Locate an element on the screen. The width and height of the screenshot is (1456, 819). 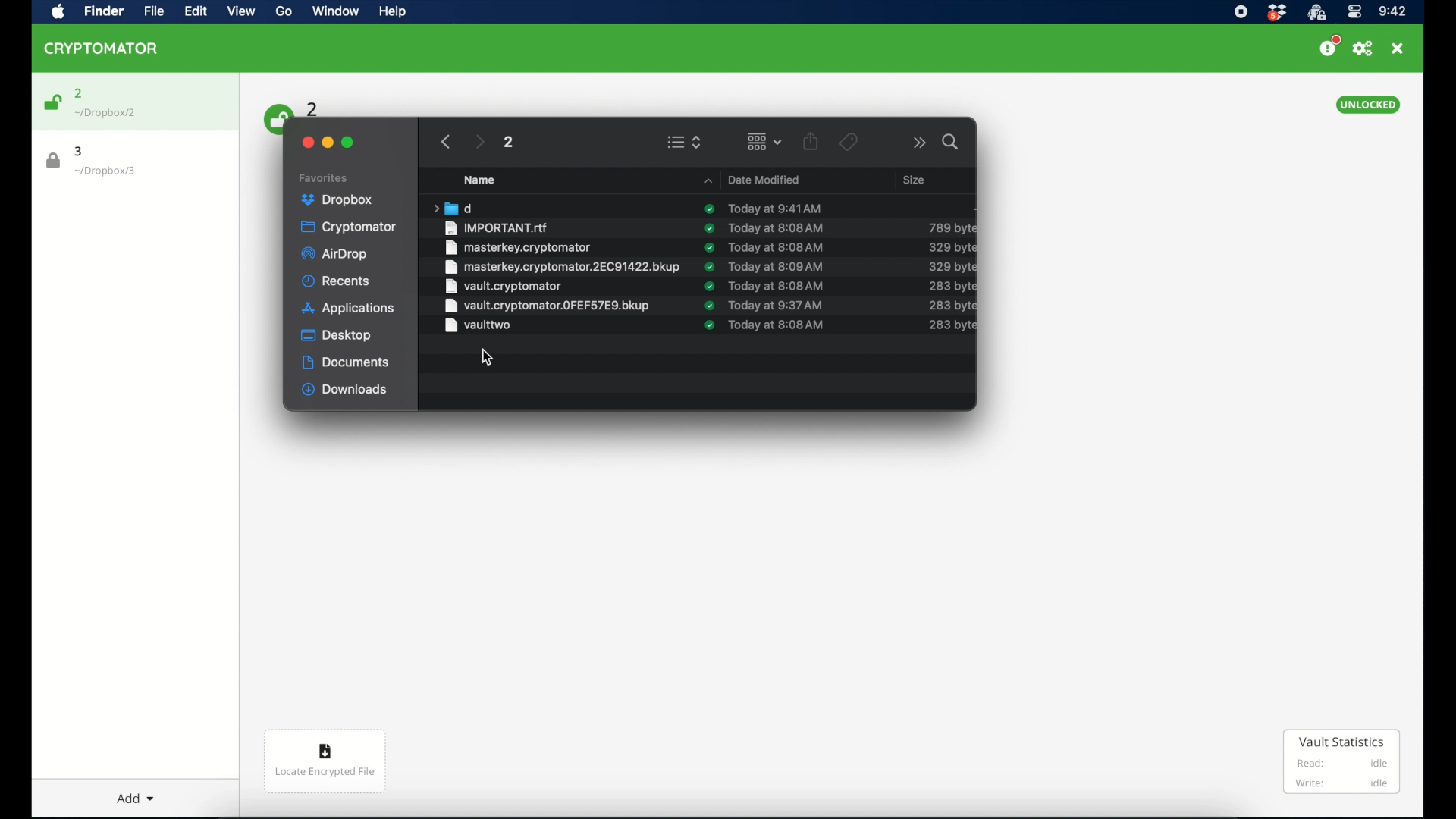
file is located at coordinates (150, 11).